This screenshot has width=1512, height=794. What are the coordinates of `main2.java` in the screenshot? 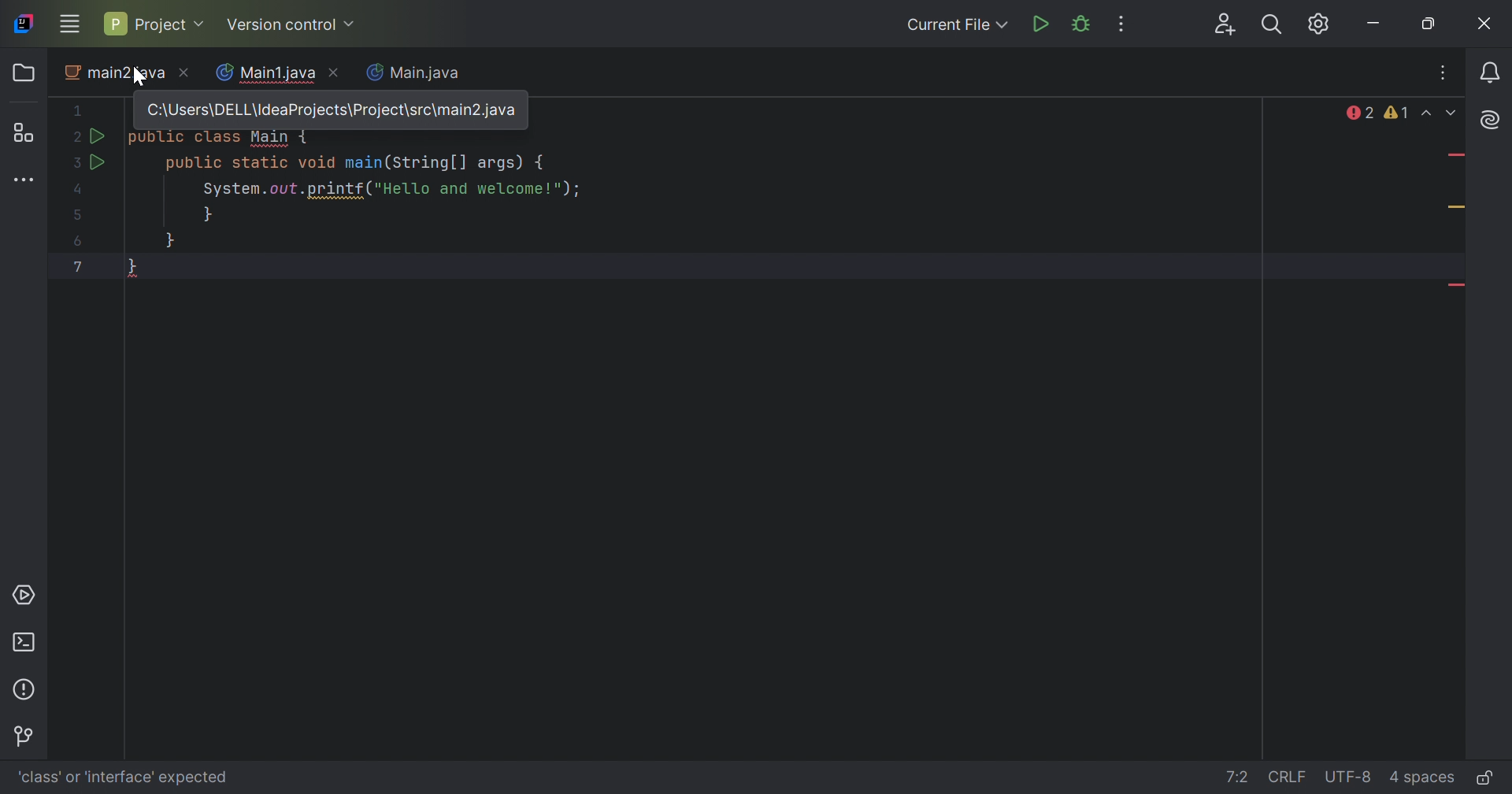 It's located at (128, 74).